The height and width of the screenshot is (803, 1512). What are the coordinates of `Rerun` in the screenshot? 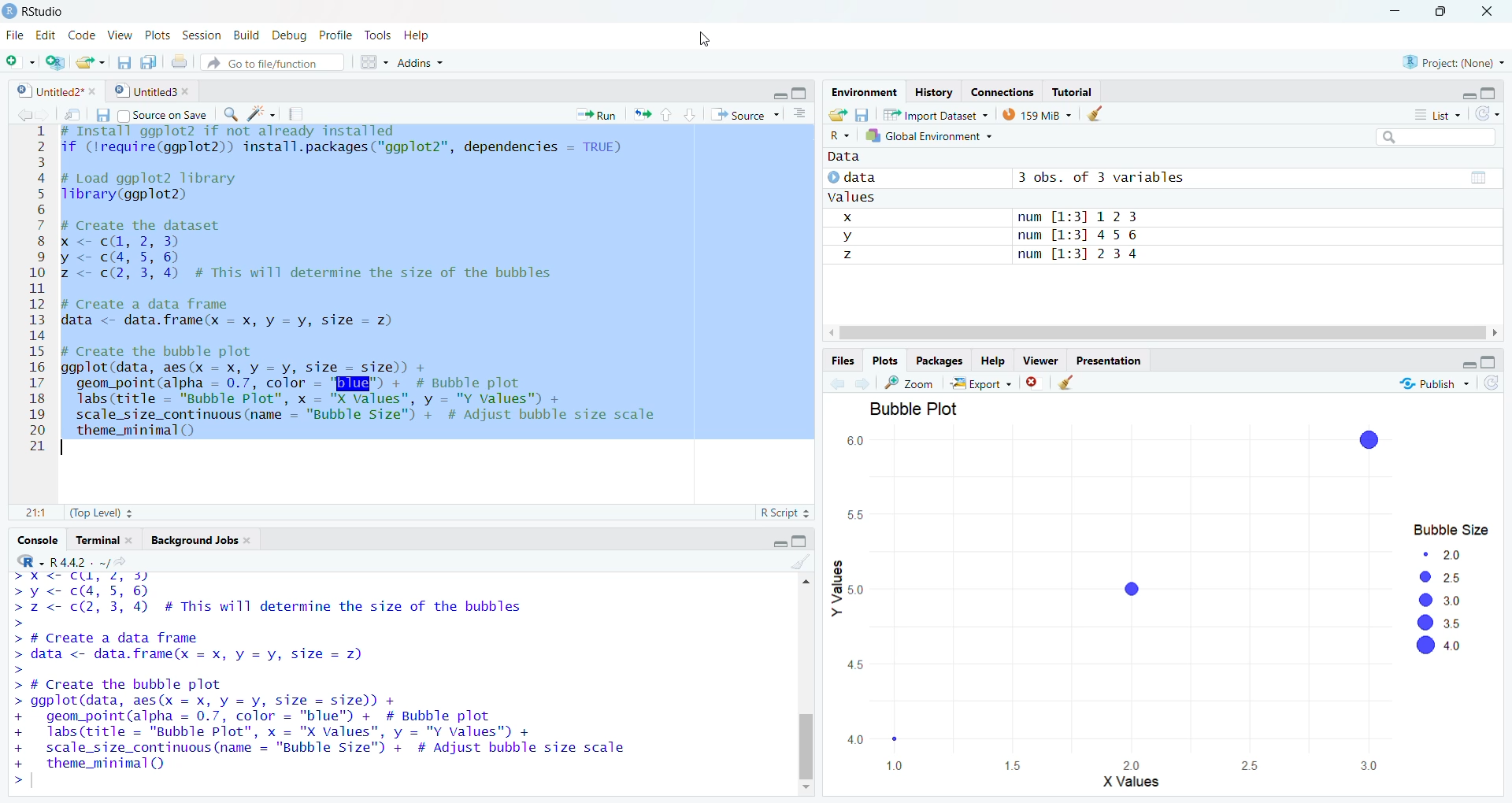 It's located at (643, 114).